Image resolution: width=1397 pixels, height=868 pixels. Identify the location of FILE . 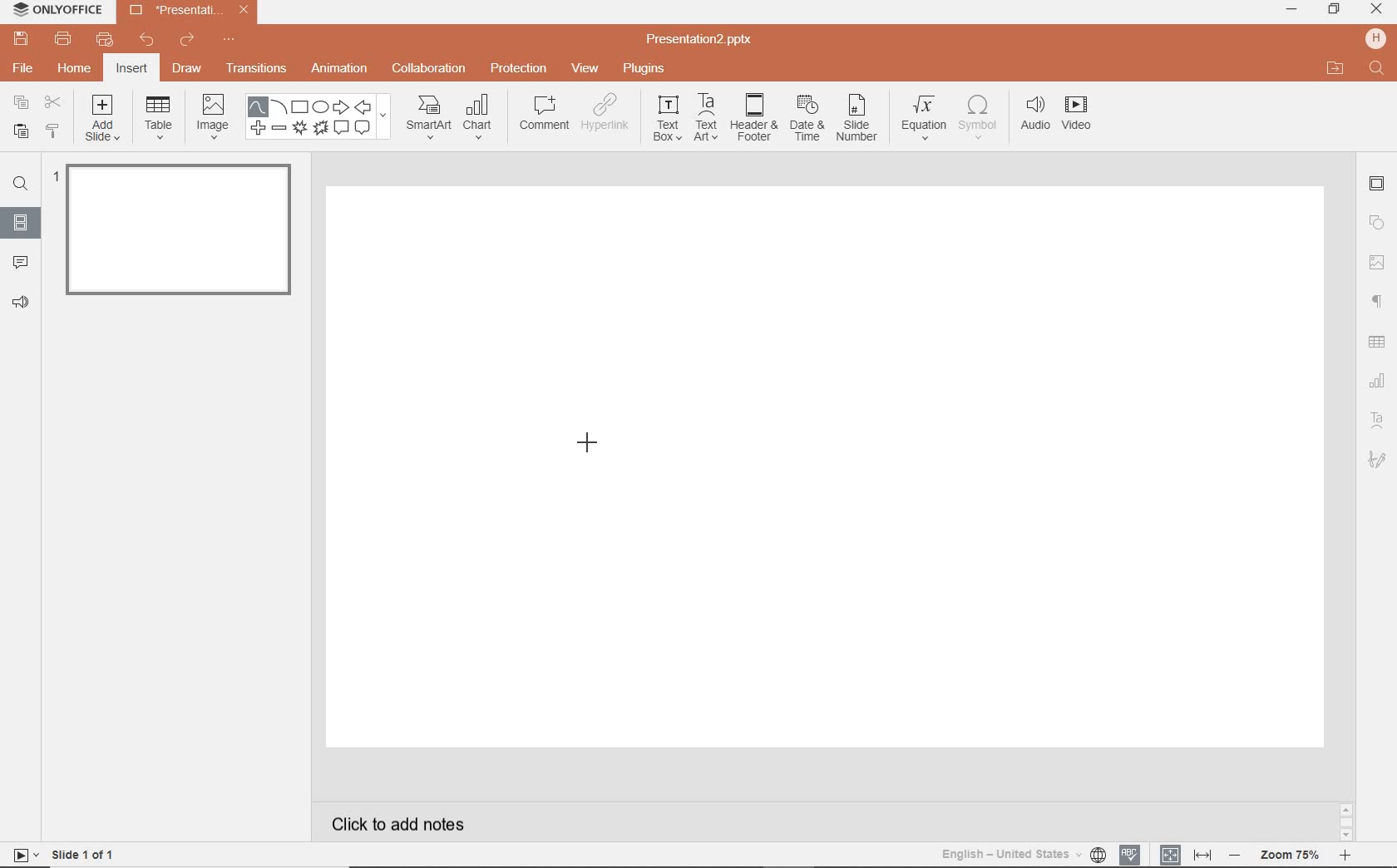
(25, 70).